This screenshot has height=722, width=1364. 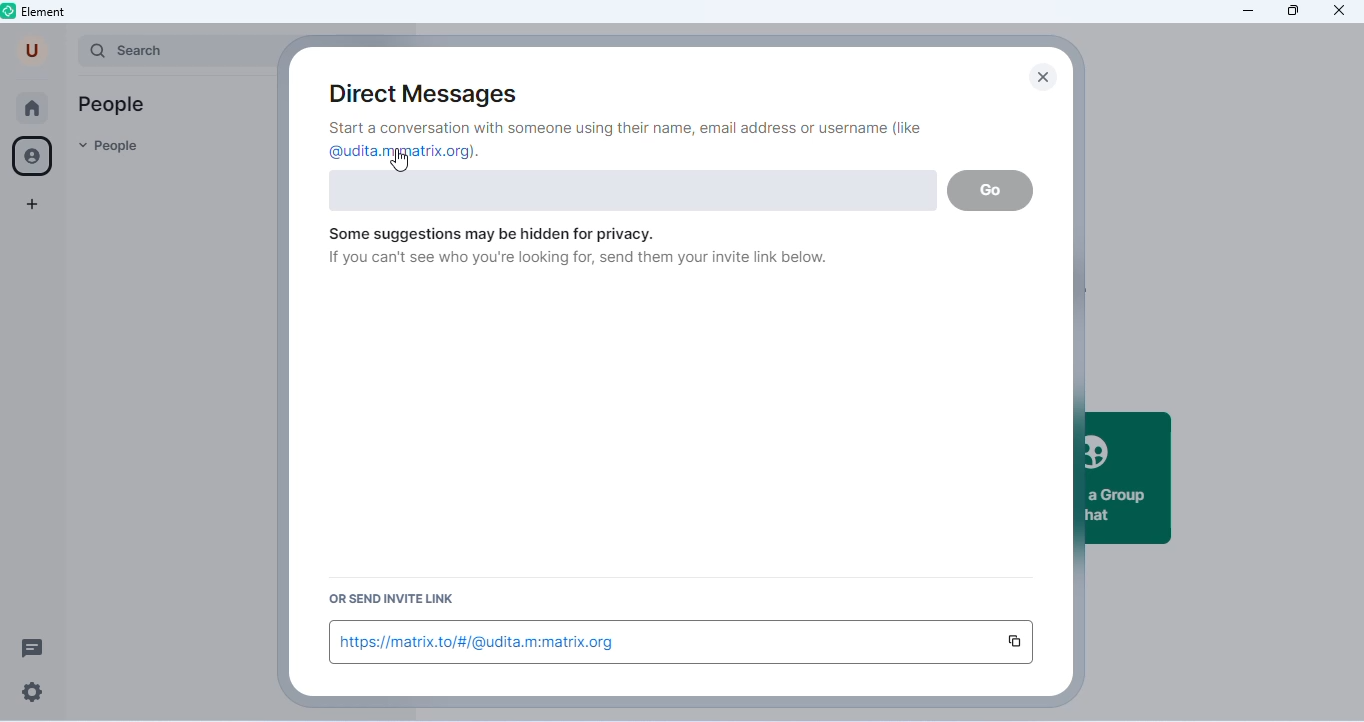 What do you see at coordinates (33, 206) in the screenshot?
I see `create a space` at bounding box center [33, 206].